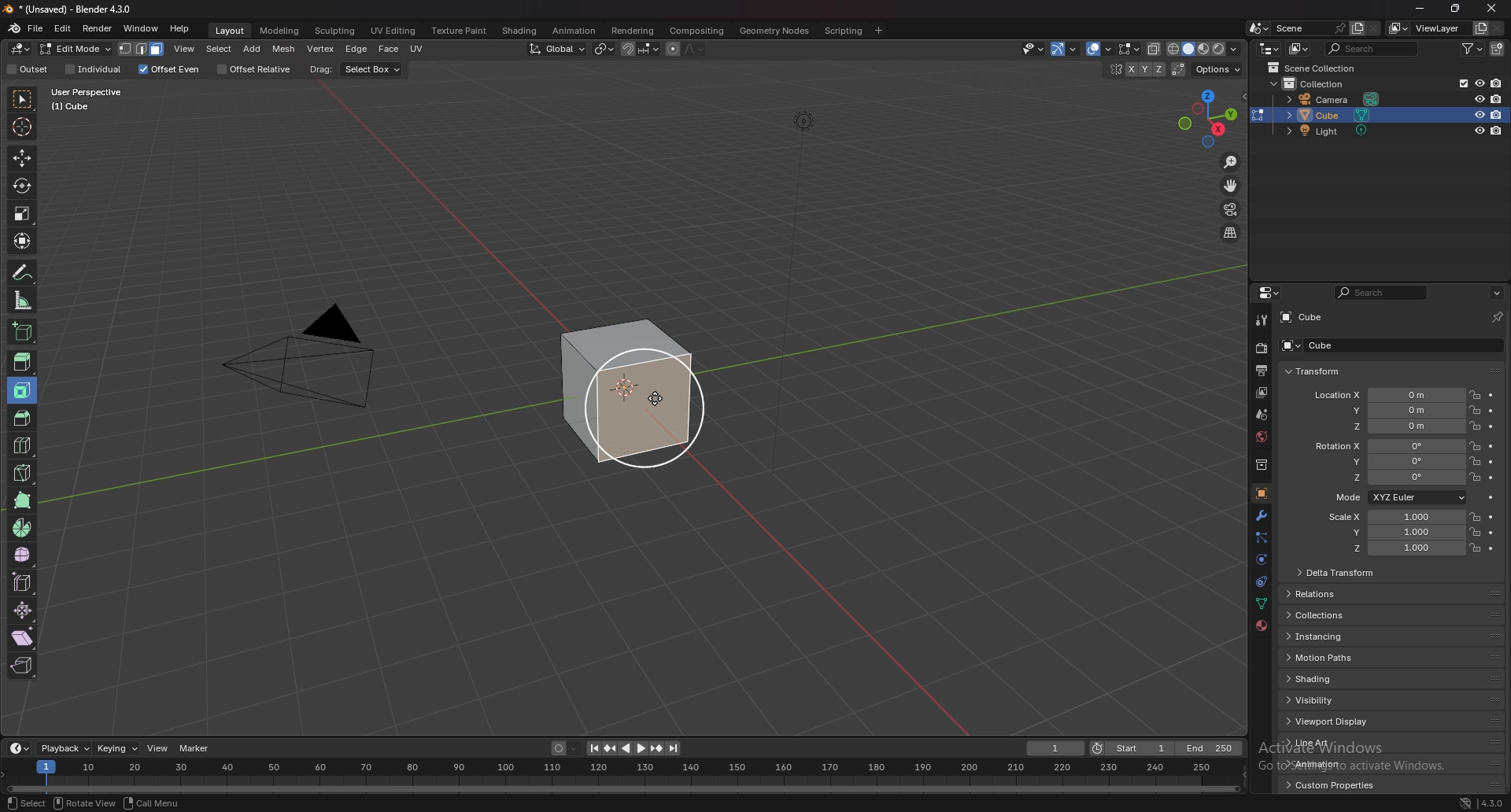  What do you see at coordinates (1498, 317) in the screenshot?
I see `pin` at bounding box center [1498, 317].